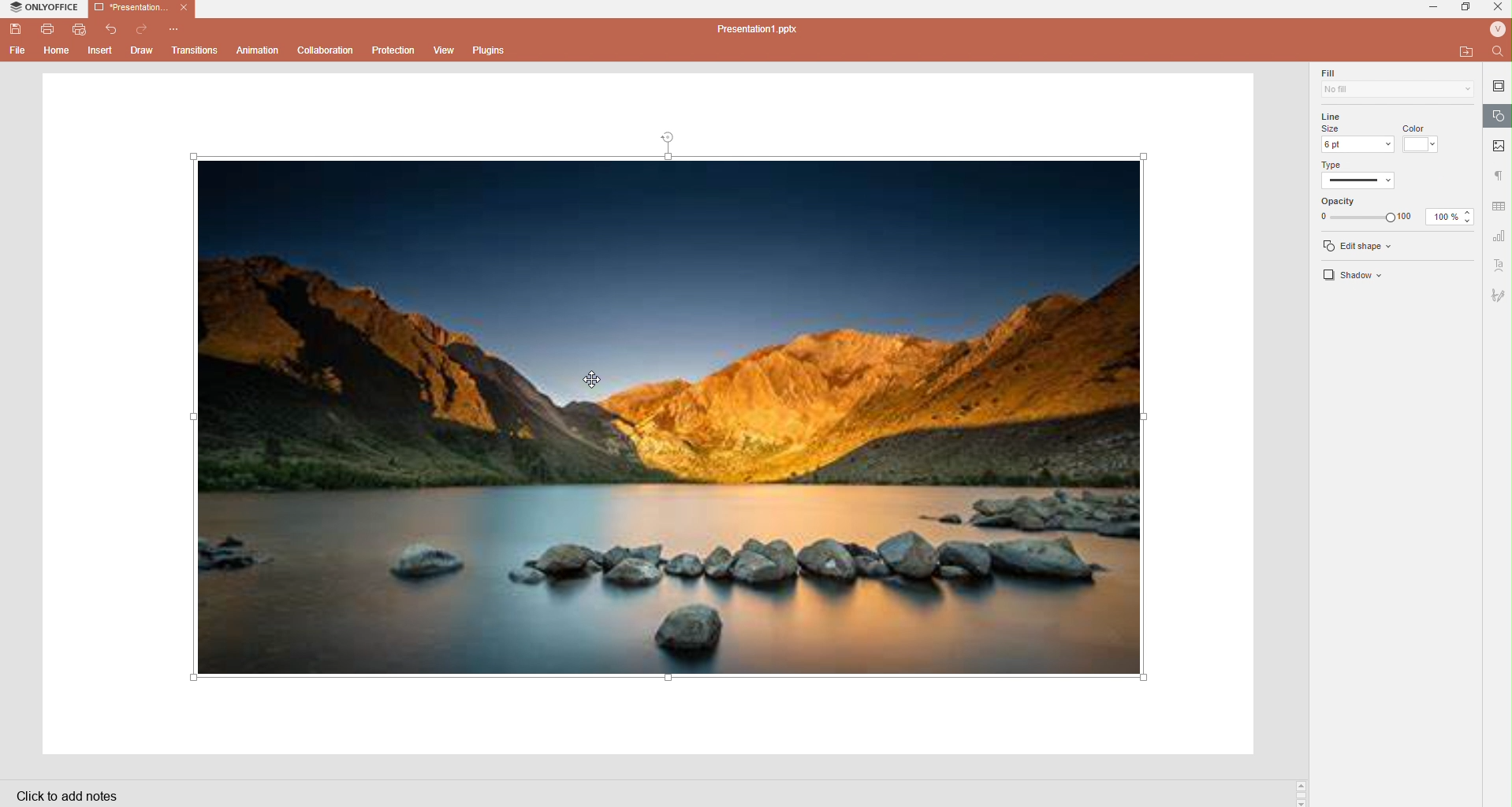 Image resolution: width=1512 pixels, height=807 pixels. What do you see at coordinates (1499, 206) in the screenshot?
I see `Data settings` at bounding box center [1499, 206].